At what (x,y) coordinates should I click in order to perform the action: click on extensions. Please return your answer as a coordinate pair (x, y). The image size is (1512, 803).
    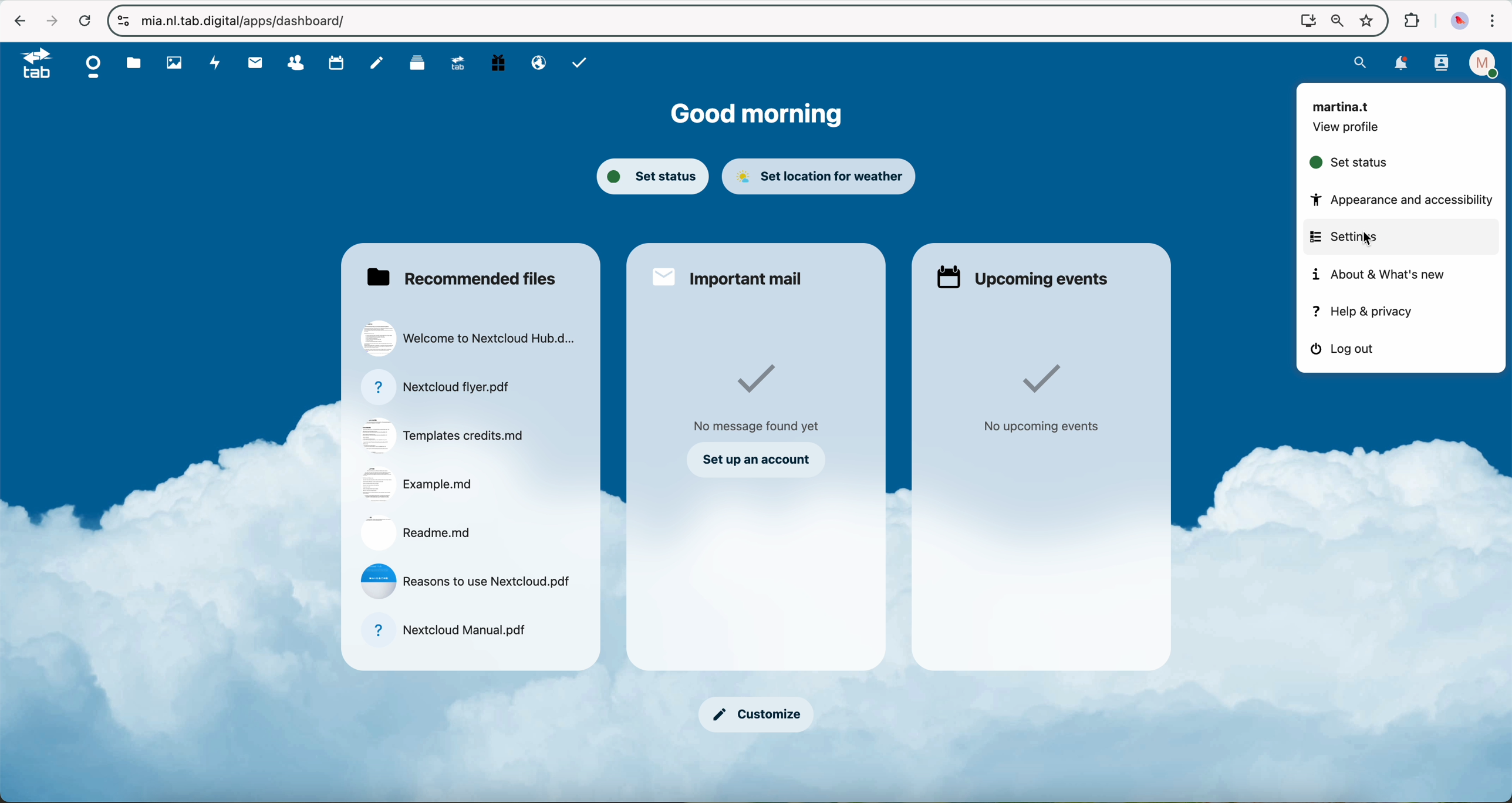
    Looking at the image, I should click on (1412, 21).